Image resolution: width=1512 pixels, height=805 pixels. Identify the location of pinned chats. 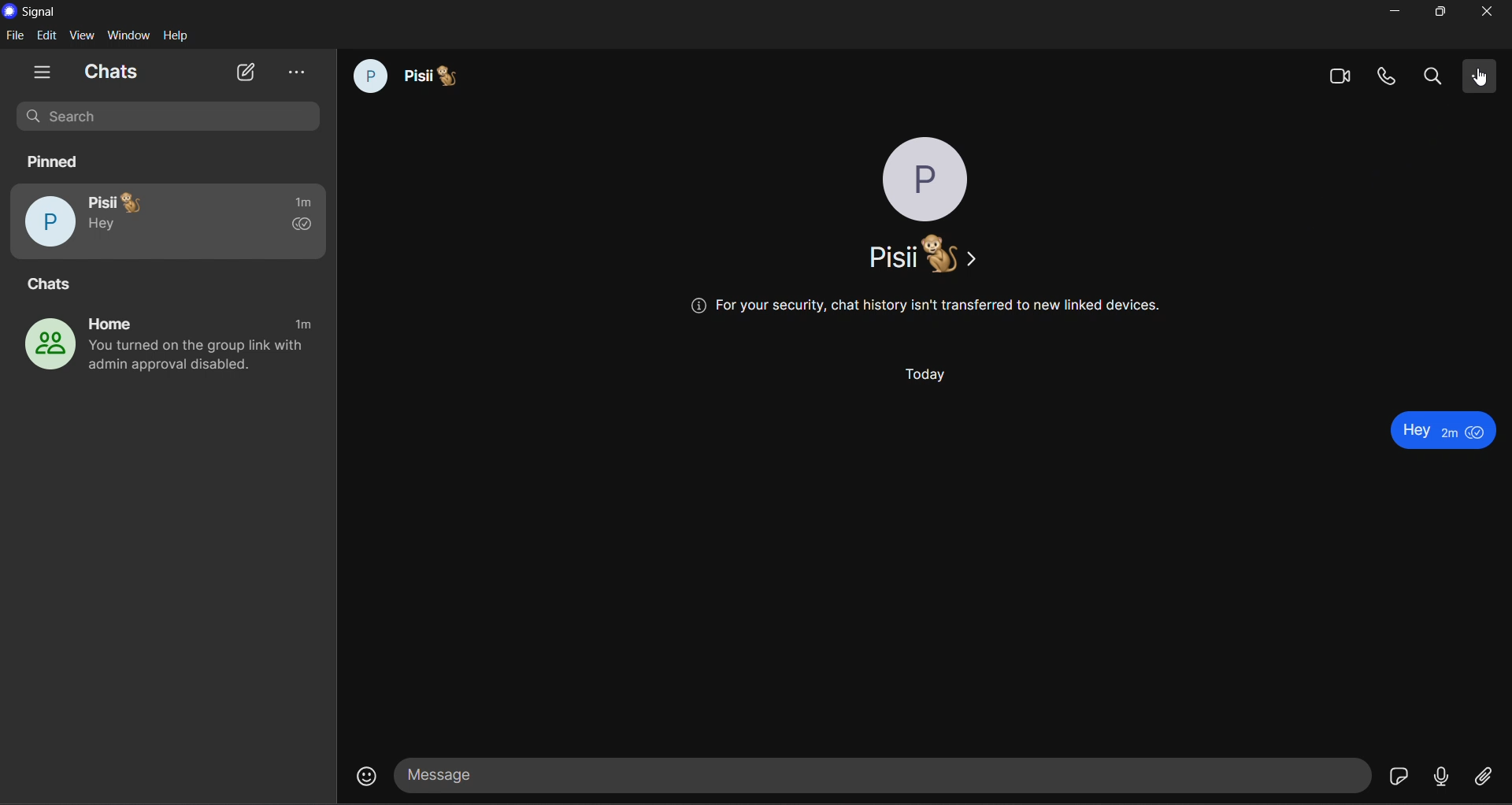
(53, 161).